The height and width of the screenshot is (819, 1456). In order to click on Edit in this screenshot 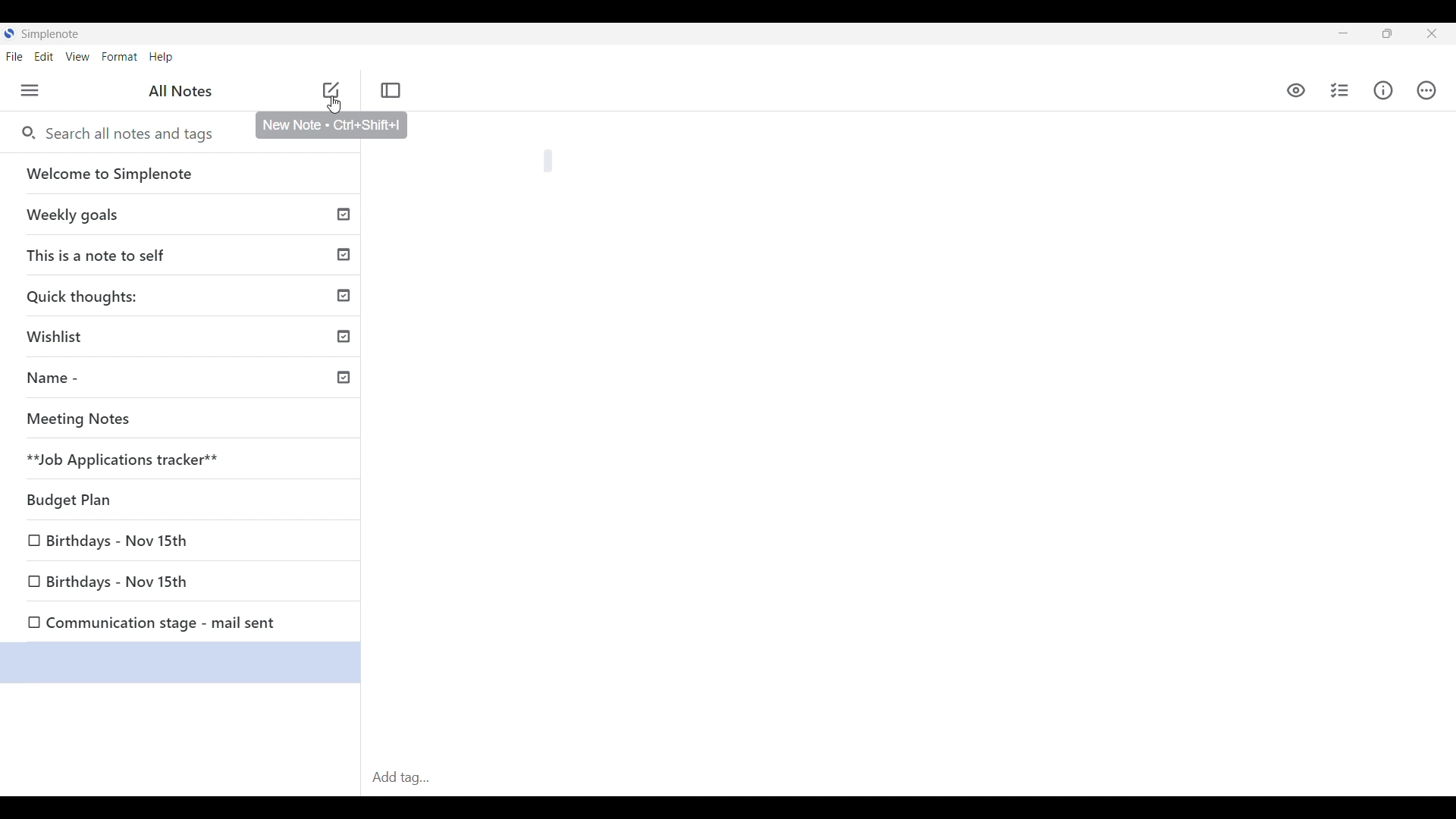, I will do `click(44, 57)`.